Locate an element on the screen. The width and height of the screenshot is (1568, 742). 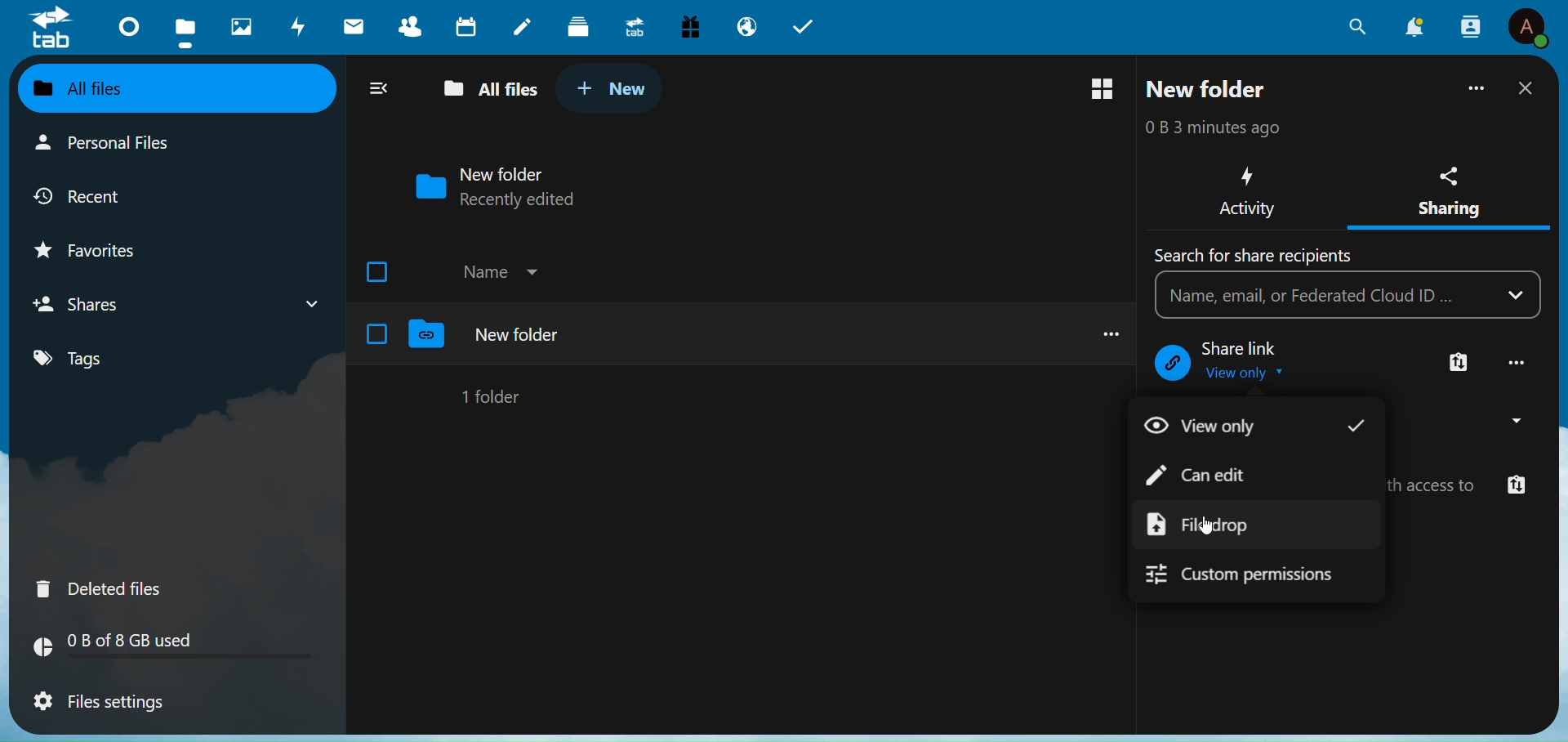
Logo is located at coordinates (52, 30).